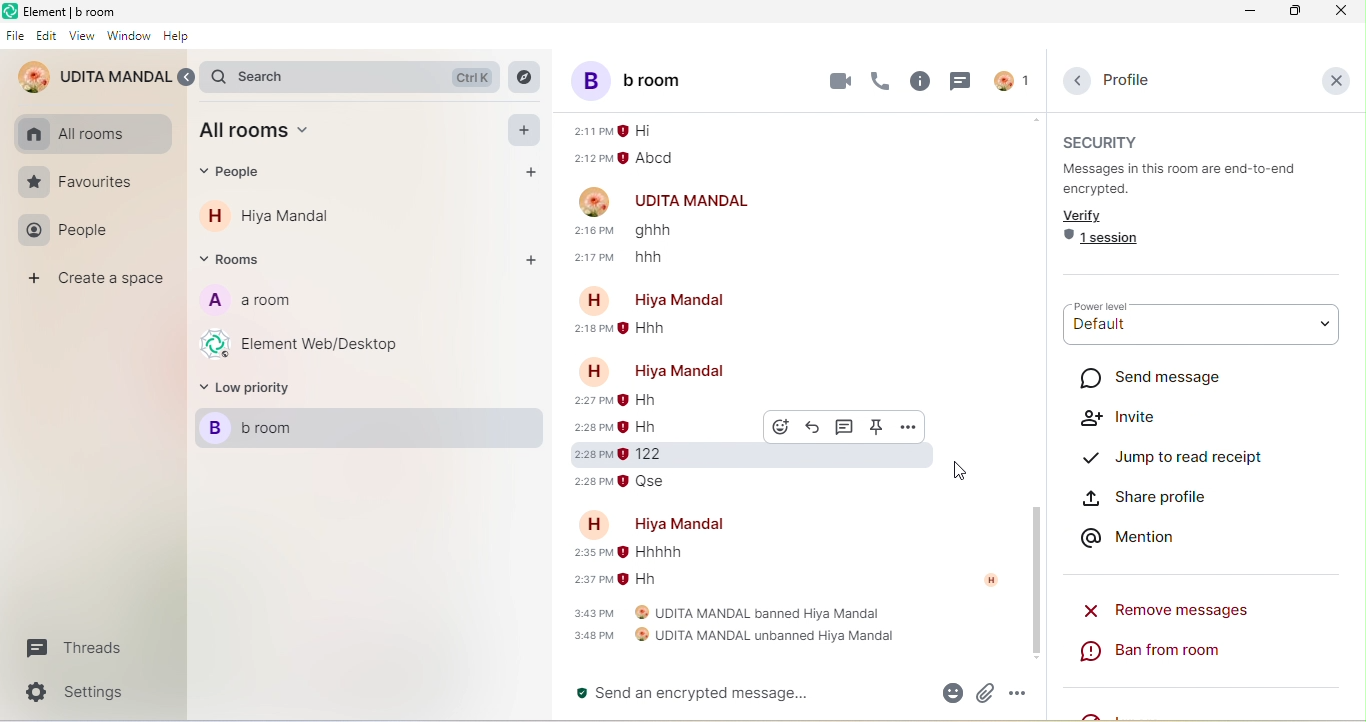 The image size is (1366, 722). Describe the element at coordinates (15, 37) in the screenshot. I see `file` at that location.